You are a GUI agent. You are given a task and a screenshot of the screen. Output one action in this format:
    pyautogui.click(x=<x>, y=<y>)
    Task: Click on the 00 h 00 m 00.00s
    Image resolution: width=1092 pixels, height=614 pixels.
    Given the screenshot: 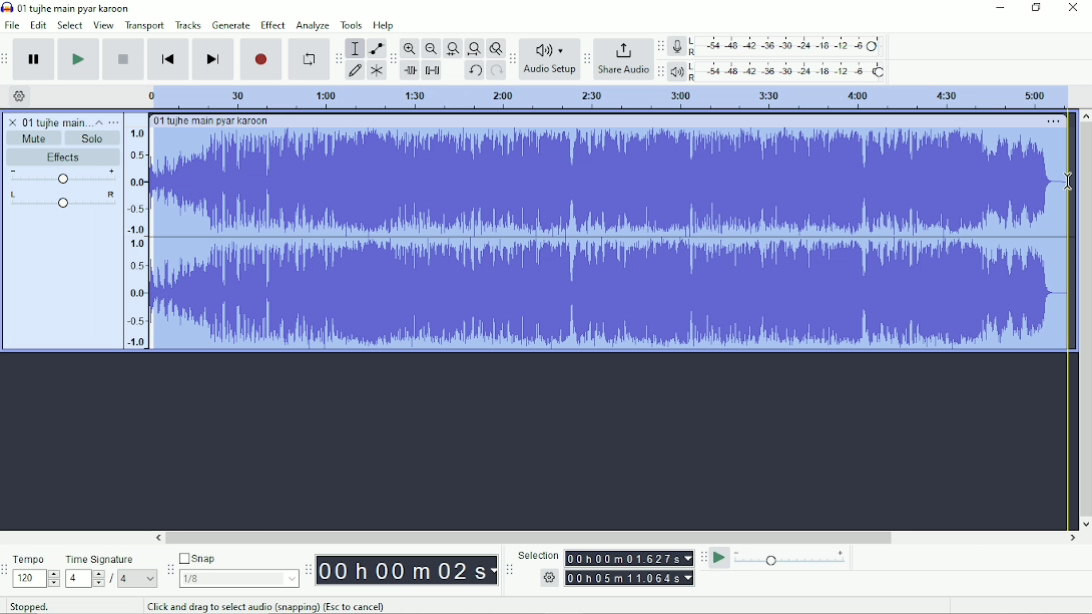 What is the action you would take?
    pyautogui.click(x=630, y=558)
    